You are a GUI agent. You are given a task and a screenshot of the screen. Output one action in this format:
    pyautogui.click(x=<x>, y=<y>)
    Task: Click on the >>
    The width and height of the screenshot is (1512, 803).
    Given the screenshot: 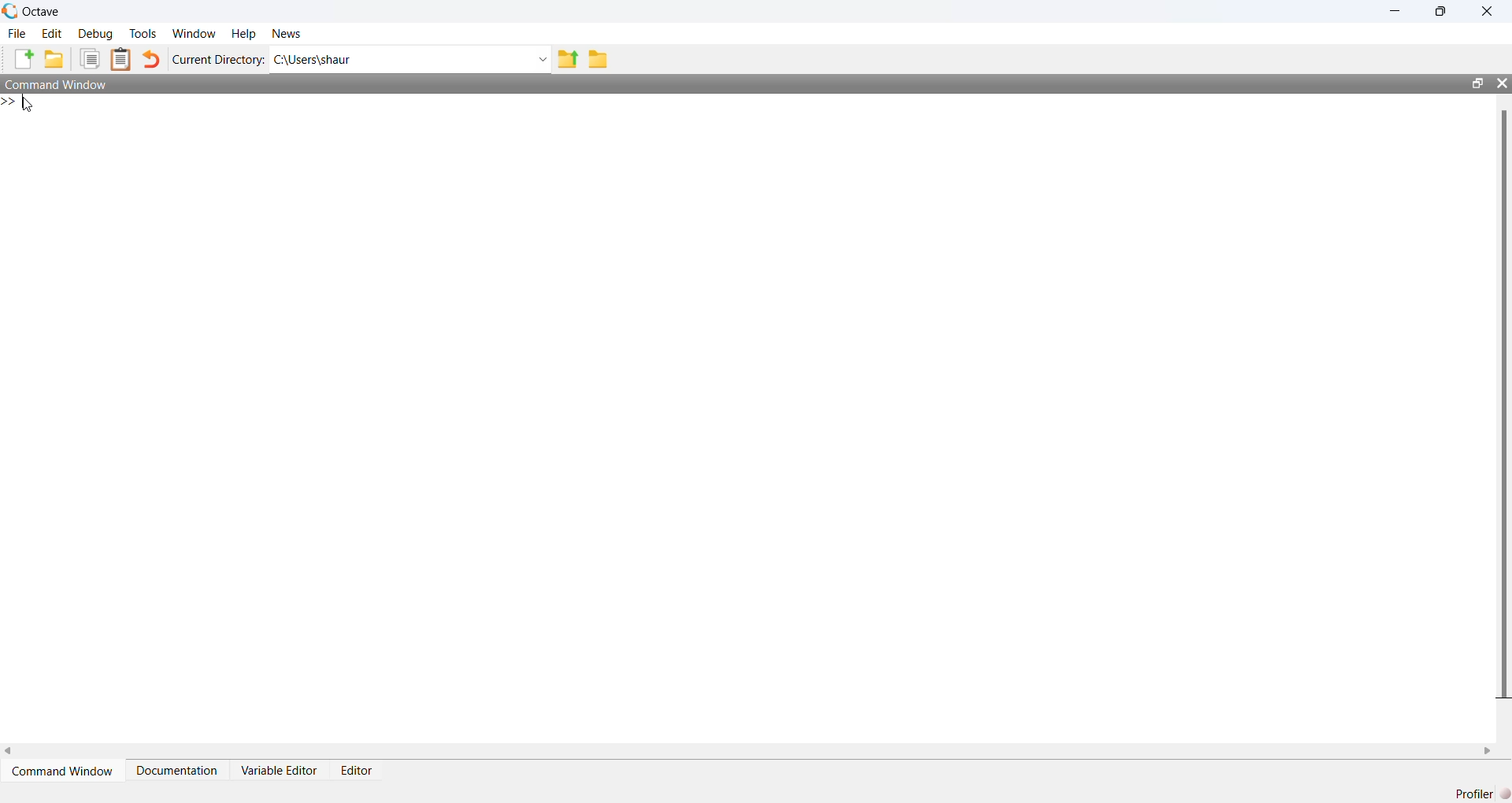 What is the action you would take?
    pyautogui.click(x=9, y=102)
    